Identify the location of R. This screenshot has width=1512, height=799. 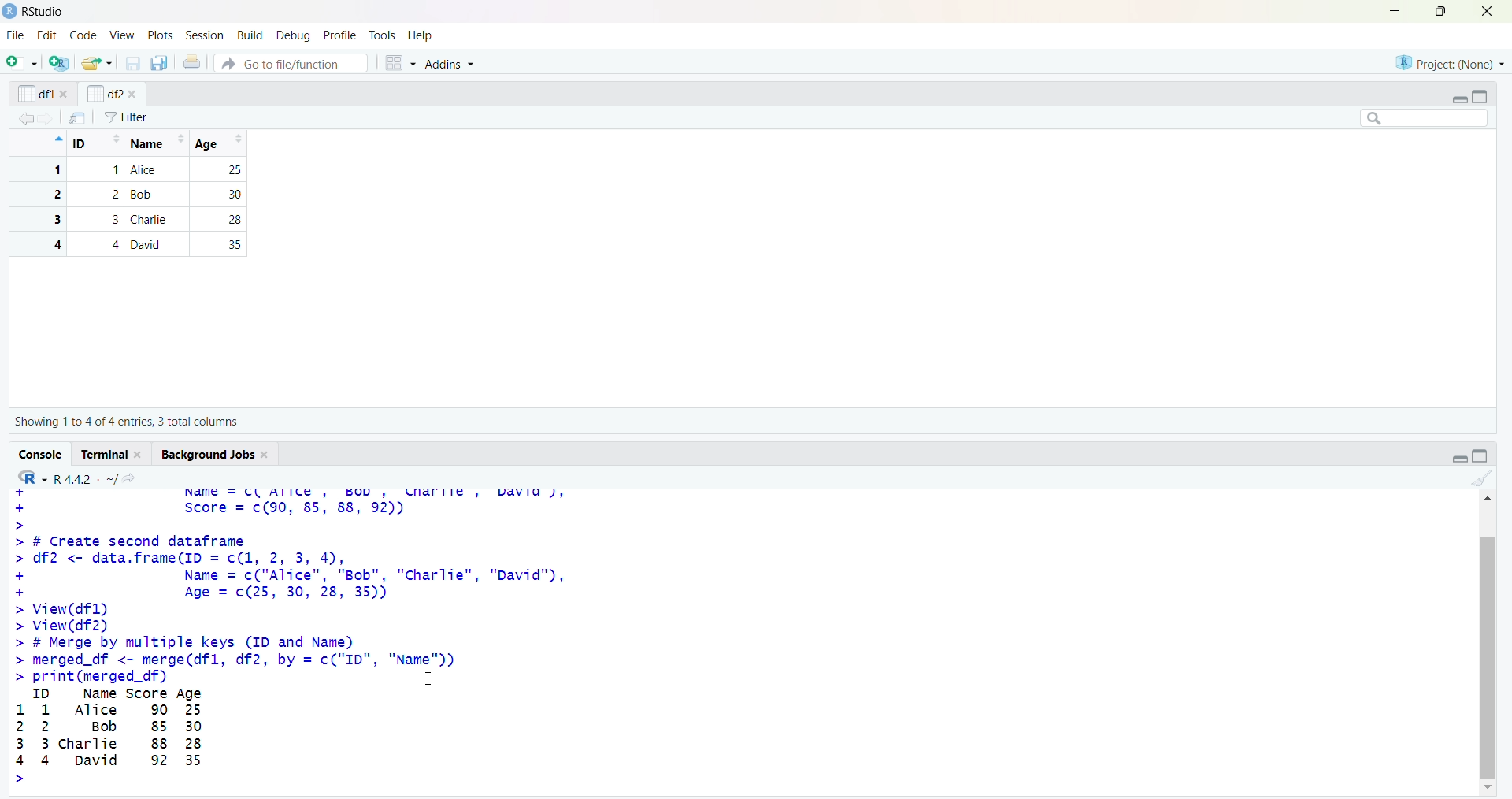
(32, 478).